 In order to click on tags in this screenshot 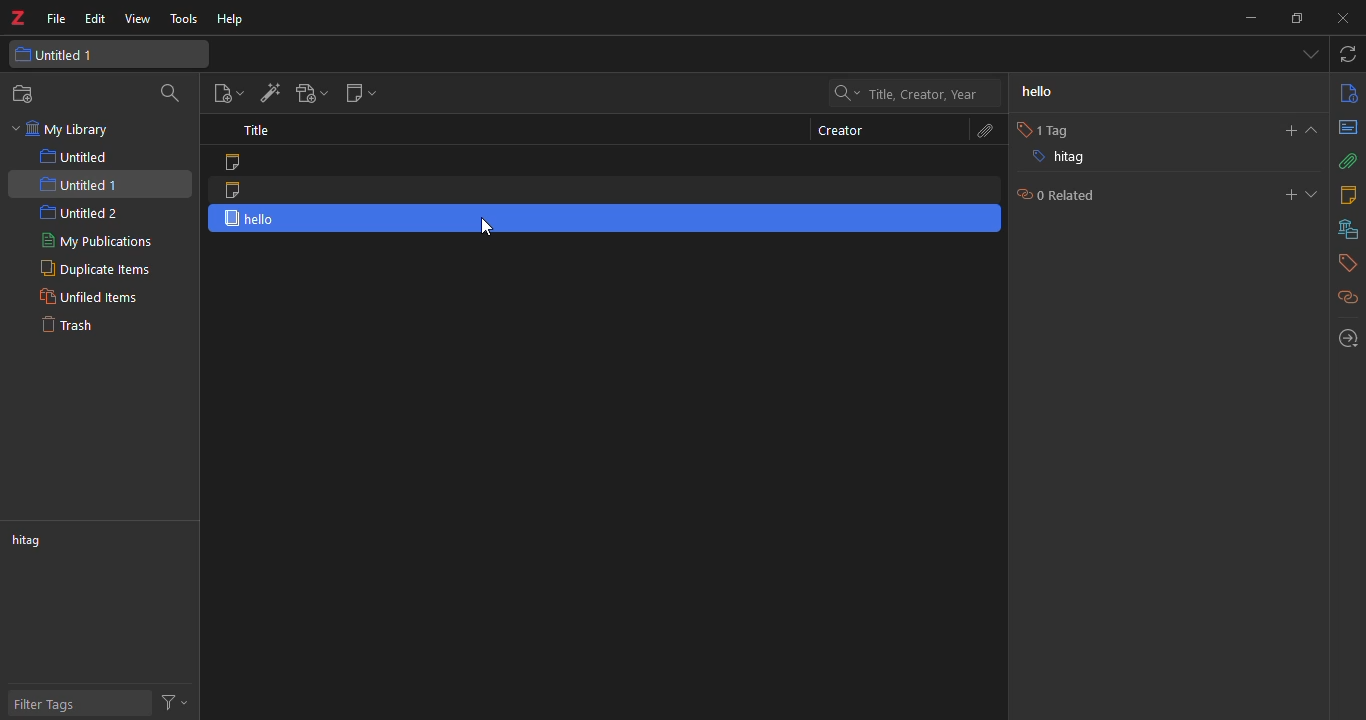, I will do `click(1342, 265)`.